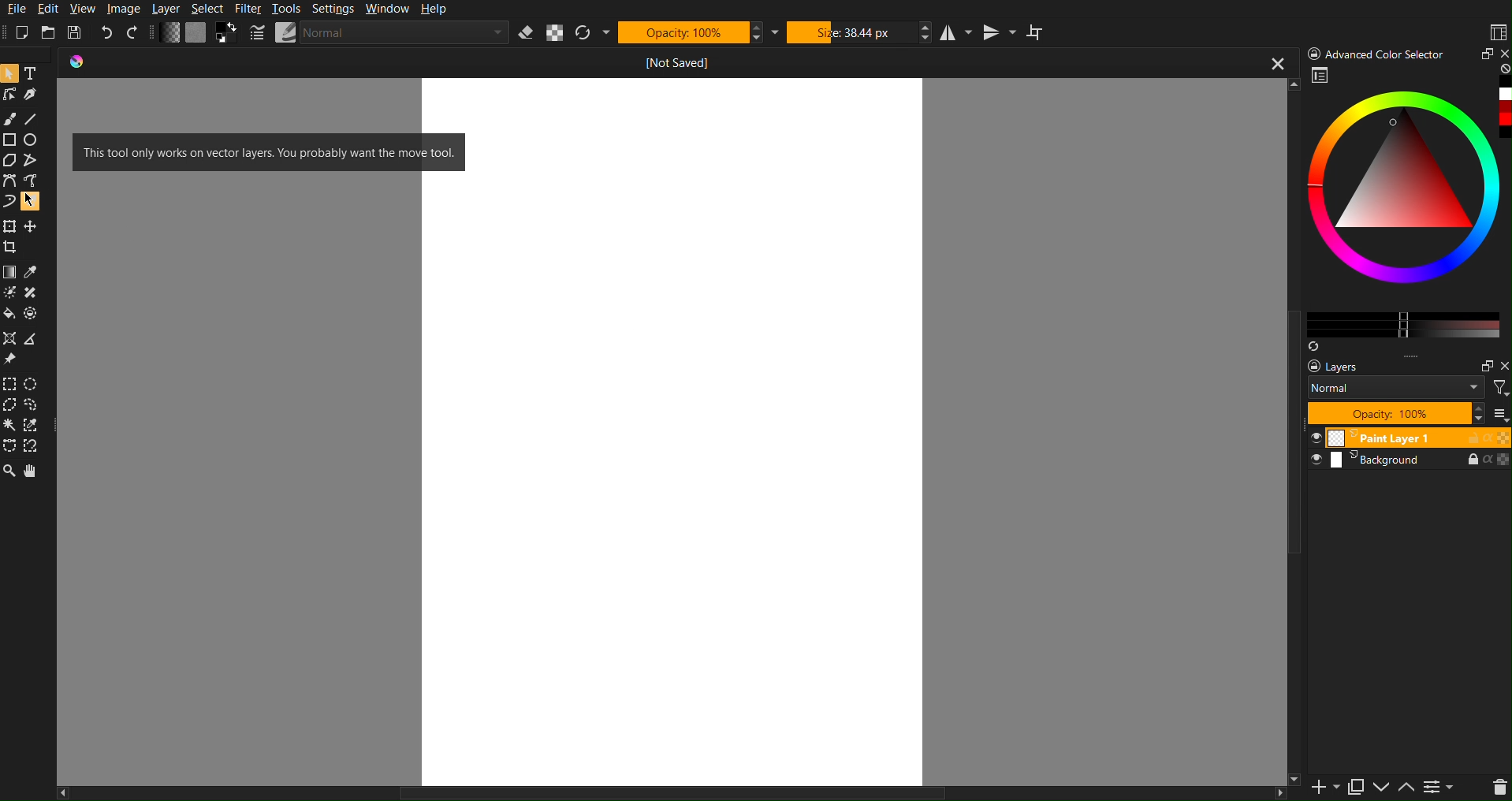  I want to click on Line Options, so click(258, 33).